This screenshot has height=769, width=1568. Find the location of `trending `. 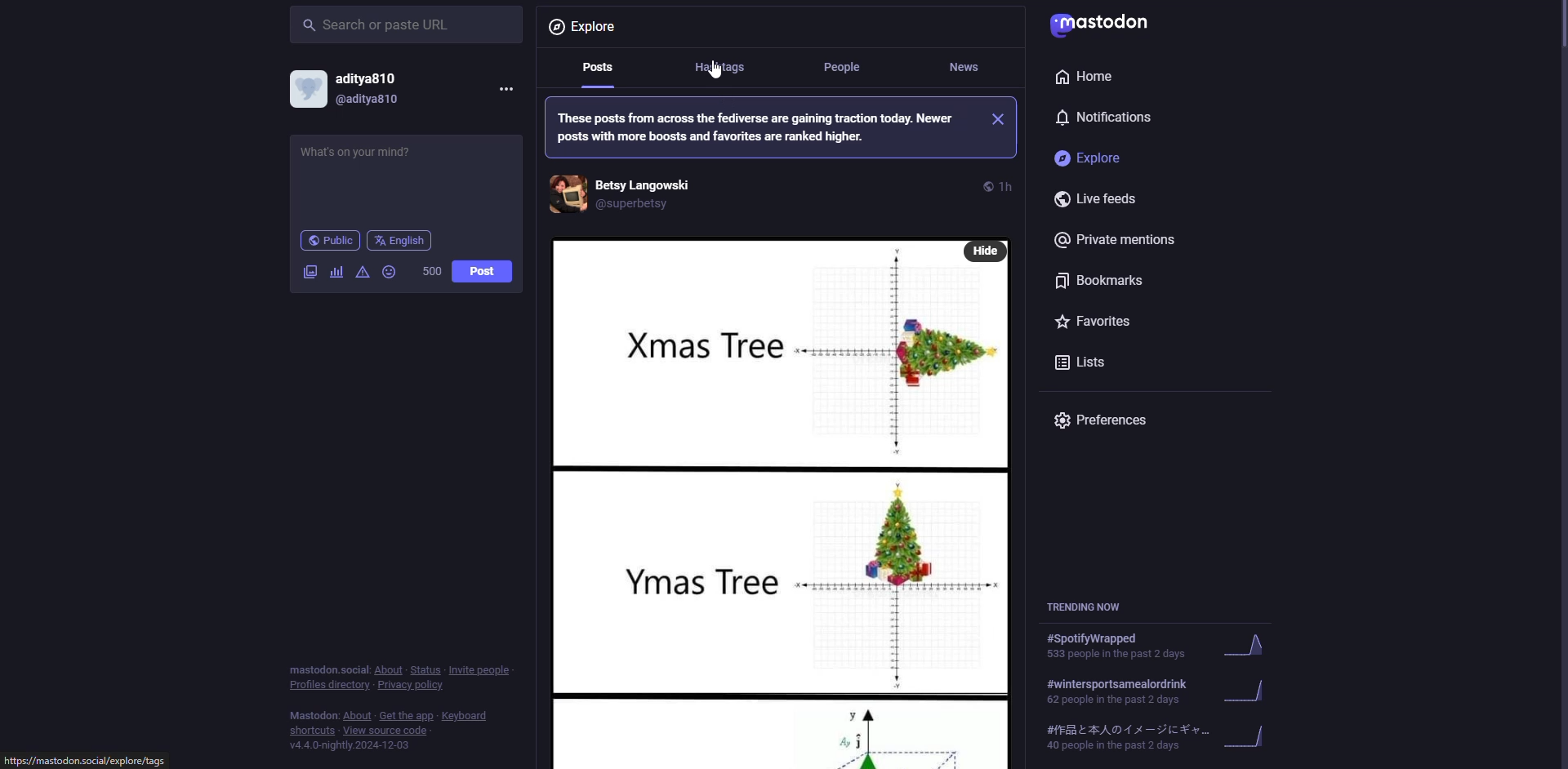

trending  is located at coordinates (1152, 691).